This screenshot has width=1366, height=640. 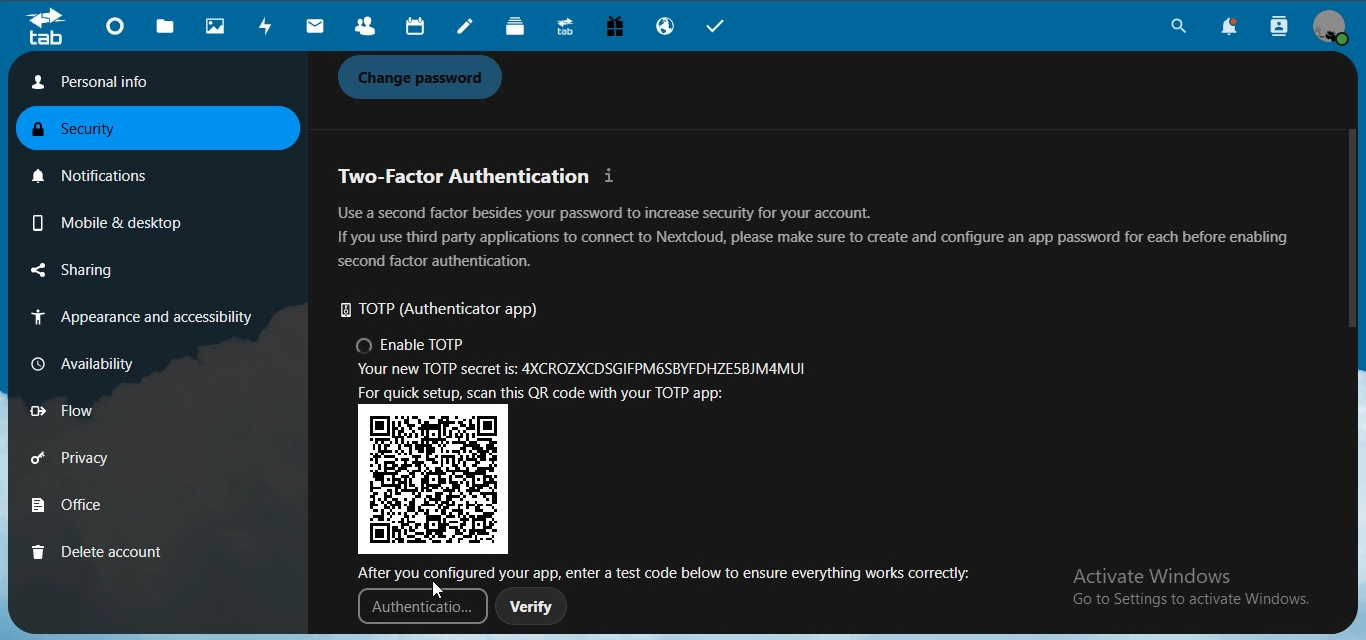 What do you see at coordinates (420, 612) in the screenshot?
I see `authentication` at bounding box center [420, 612].